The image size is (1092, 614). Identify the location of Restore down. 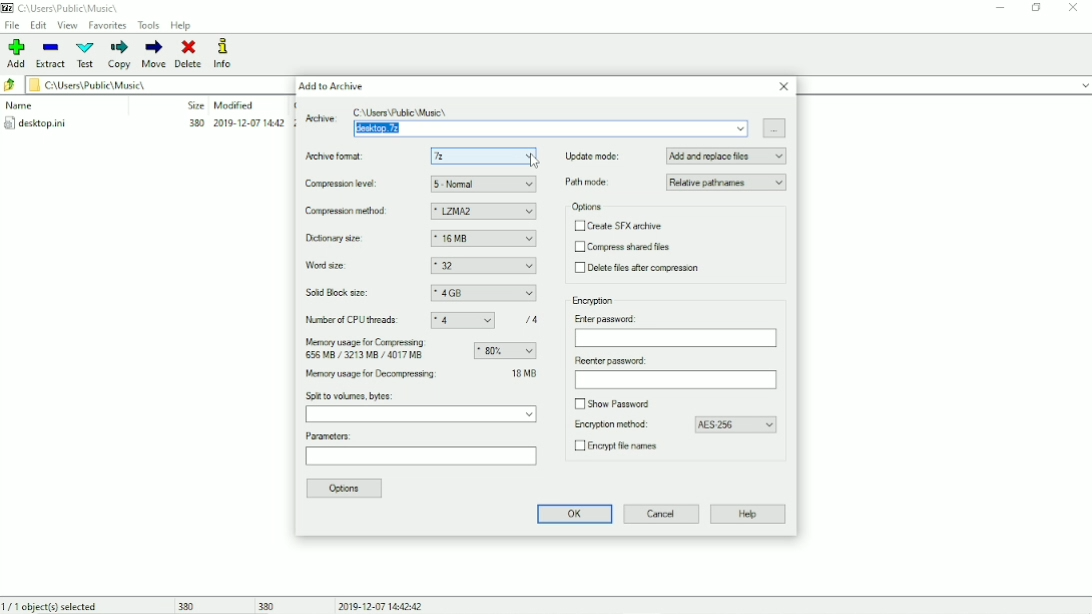
(1038, 7).